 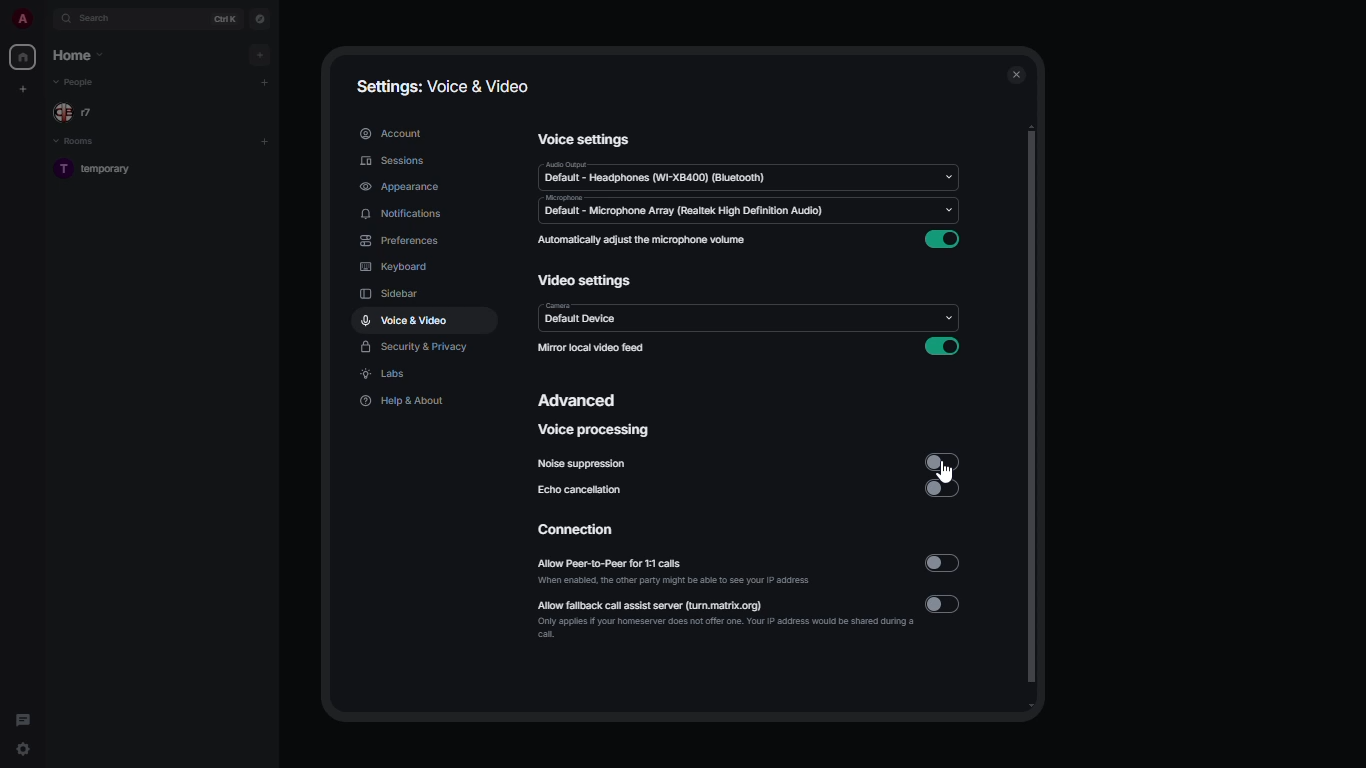 What do you see at coordinates (582, 139) in the screenshot?
I see `voice settings` at bounding box center [582, 139].